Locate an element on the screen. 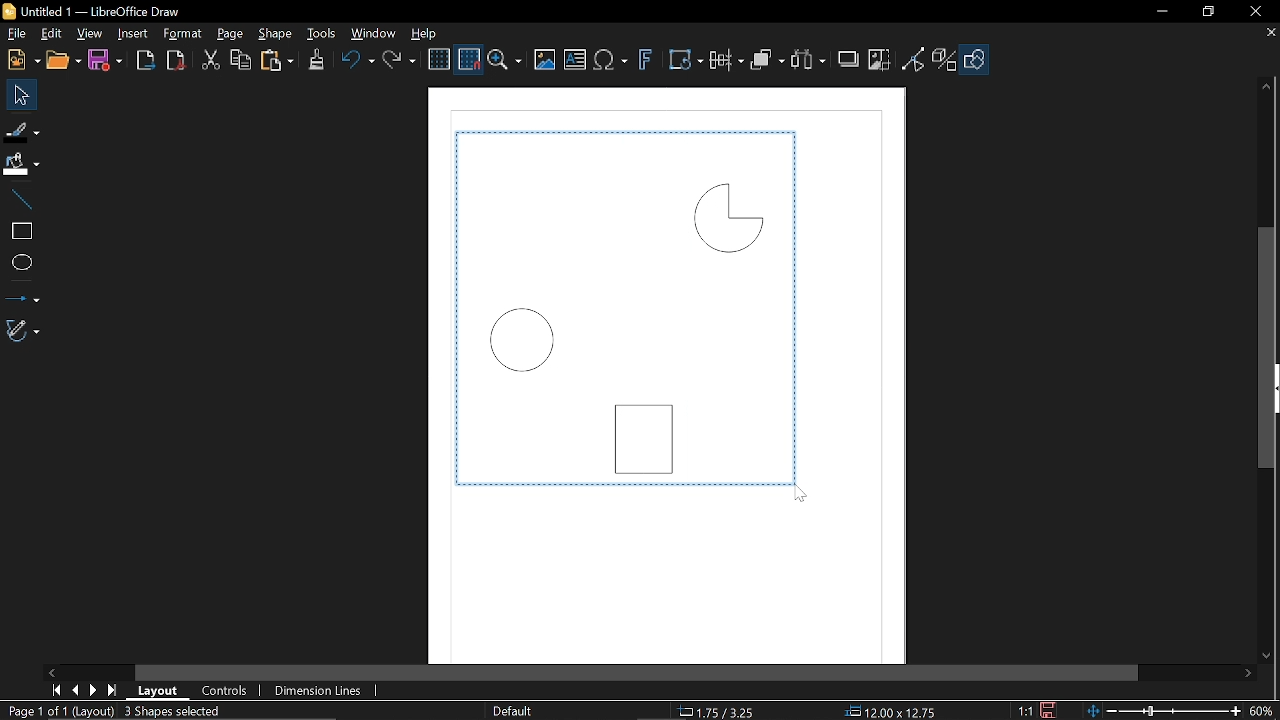  File is located at coordinates (17, 32).